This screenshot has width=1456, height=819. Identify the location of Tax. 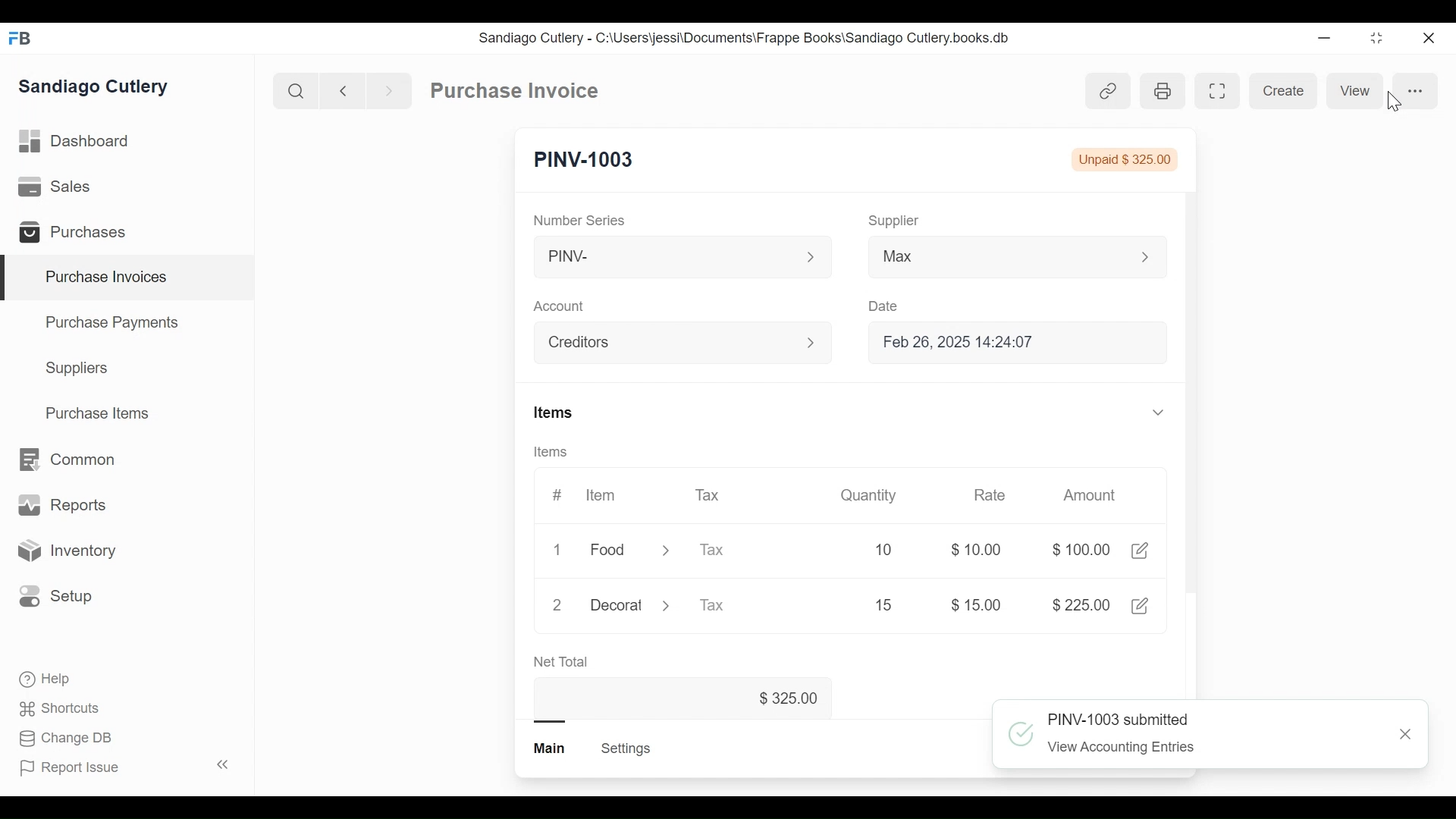
(726, 605).